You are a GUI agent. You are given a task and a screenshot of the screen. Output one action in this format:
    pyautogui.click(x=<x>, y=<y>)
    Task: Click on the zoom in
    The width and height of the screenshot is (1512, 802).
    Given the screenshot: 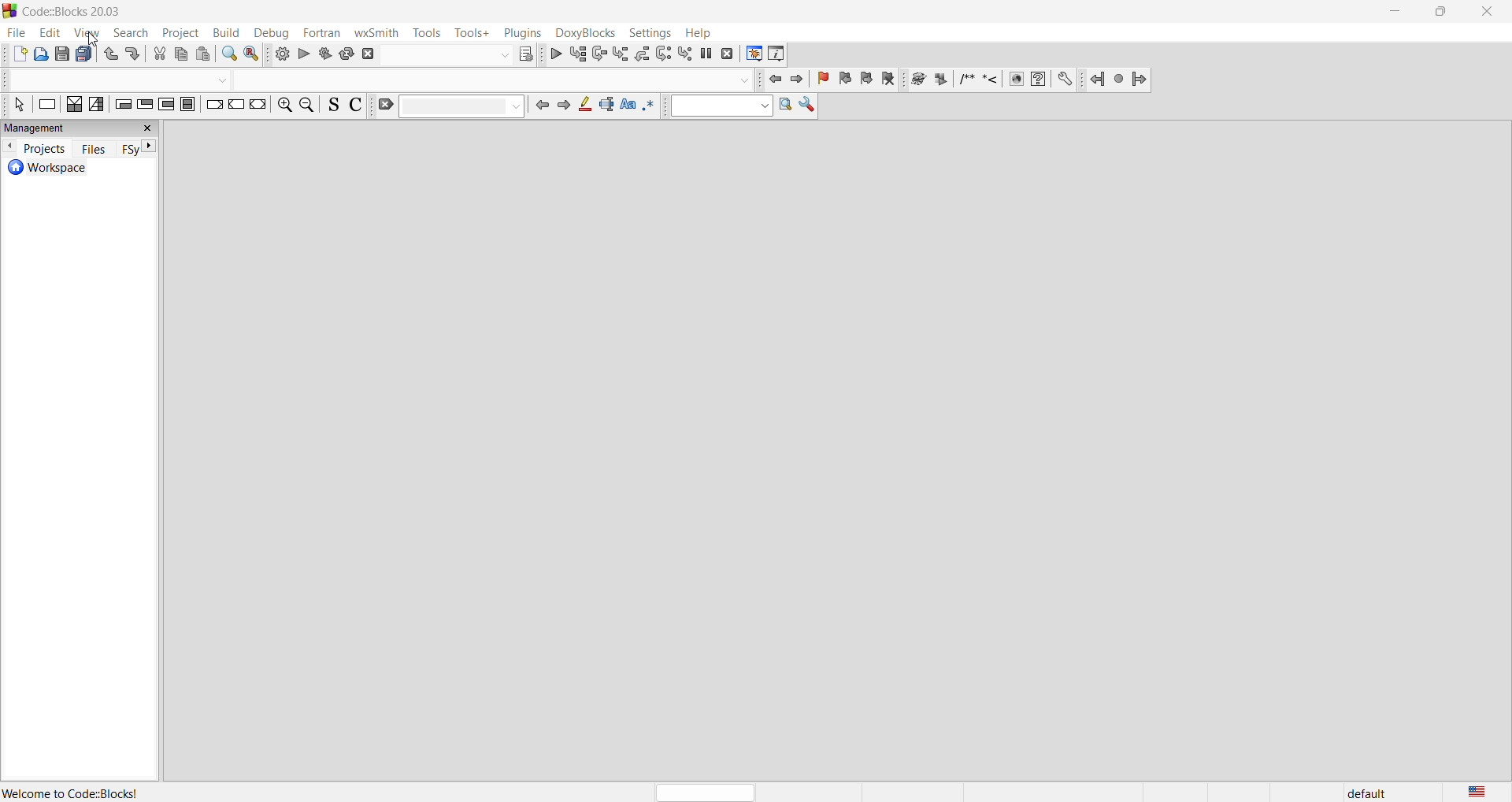 What is the action you would take?
    pyautogui.click(x=287, y=105)
    